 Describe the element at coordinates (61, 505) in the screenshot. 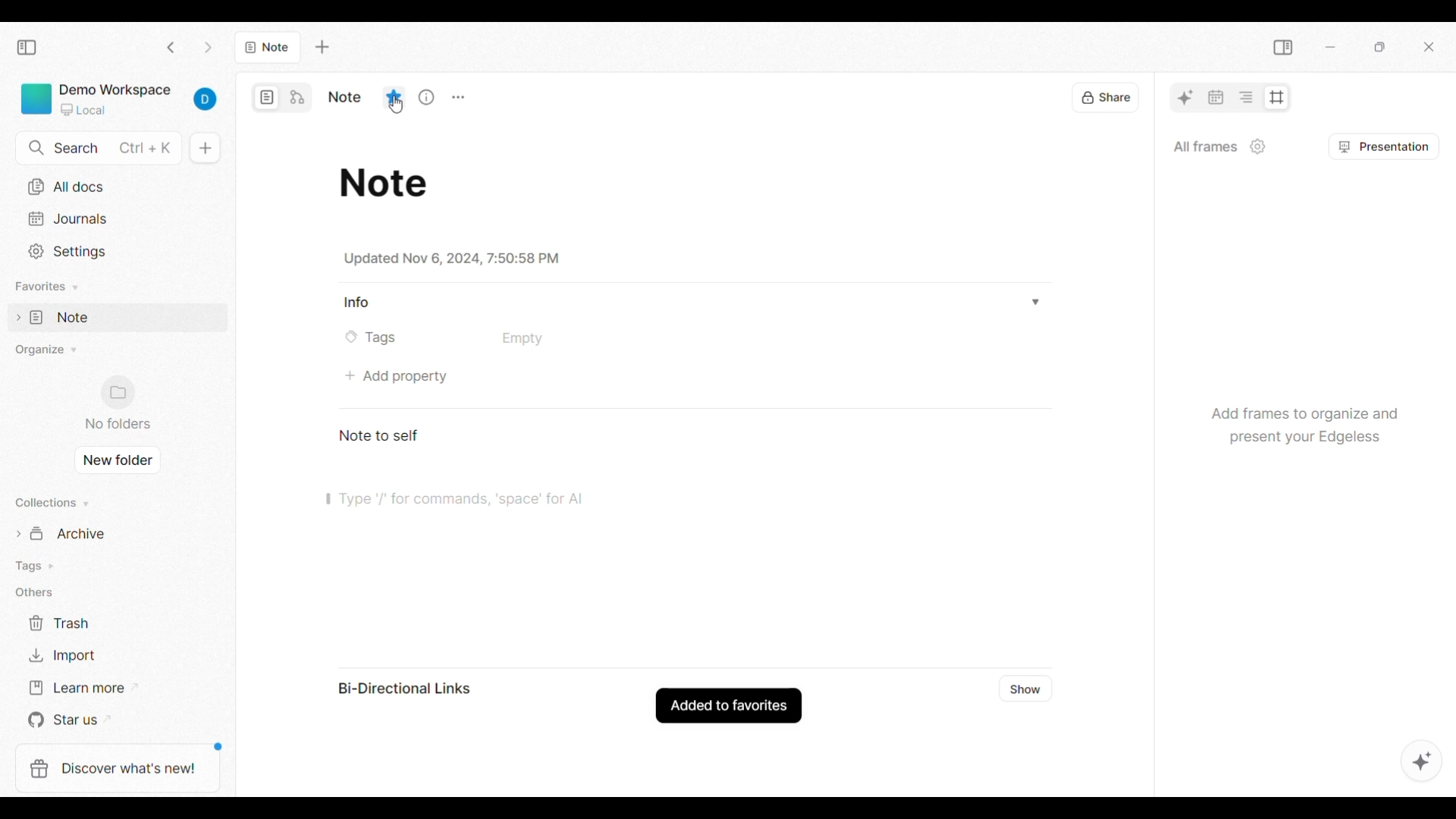

I see `Collections +` at that location.